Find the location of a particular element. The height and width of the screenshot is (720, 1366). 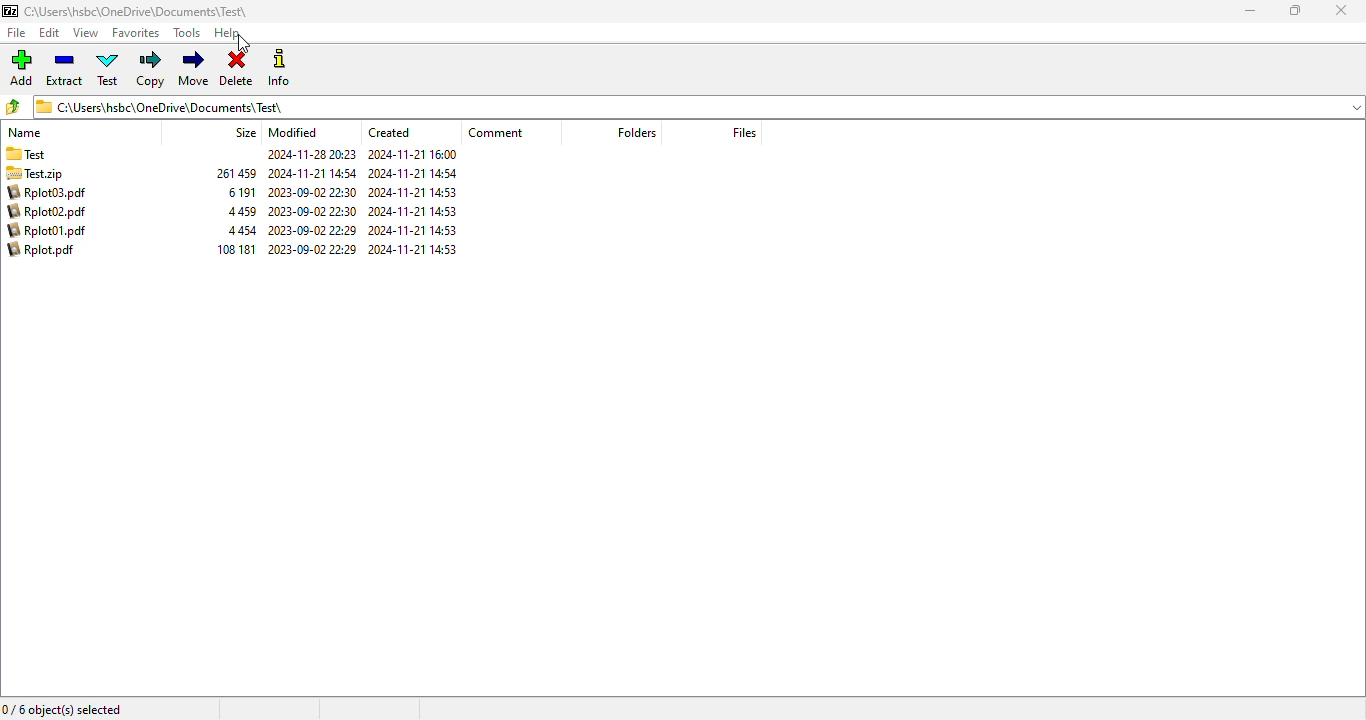

maximize is located at coordinates (1296, 10).